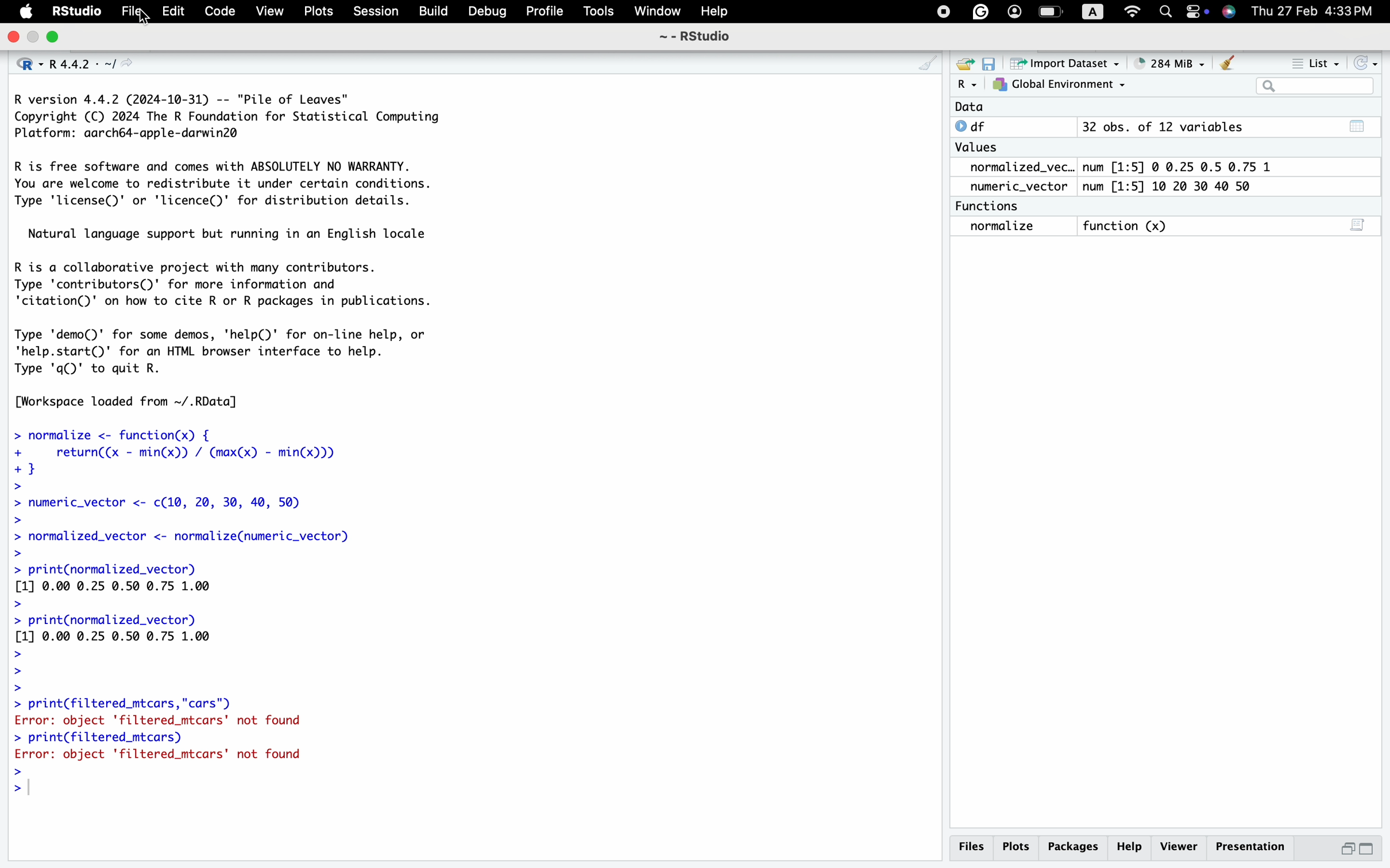 This screenshot has width=1390, height=868. What do you see at coordinates (76, 11) in the screenshot?
I see `RStudio` at bounding box center [76, 11].